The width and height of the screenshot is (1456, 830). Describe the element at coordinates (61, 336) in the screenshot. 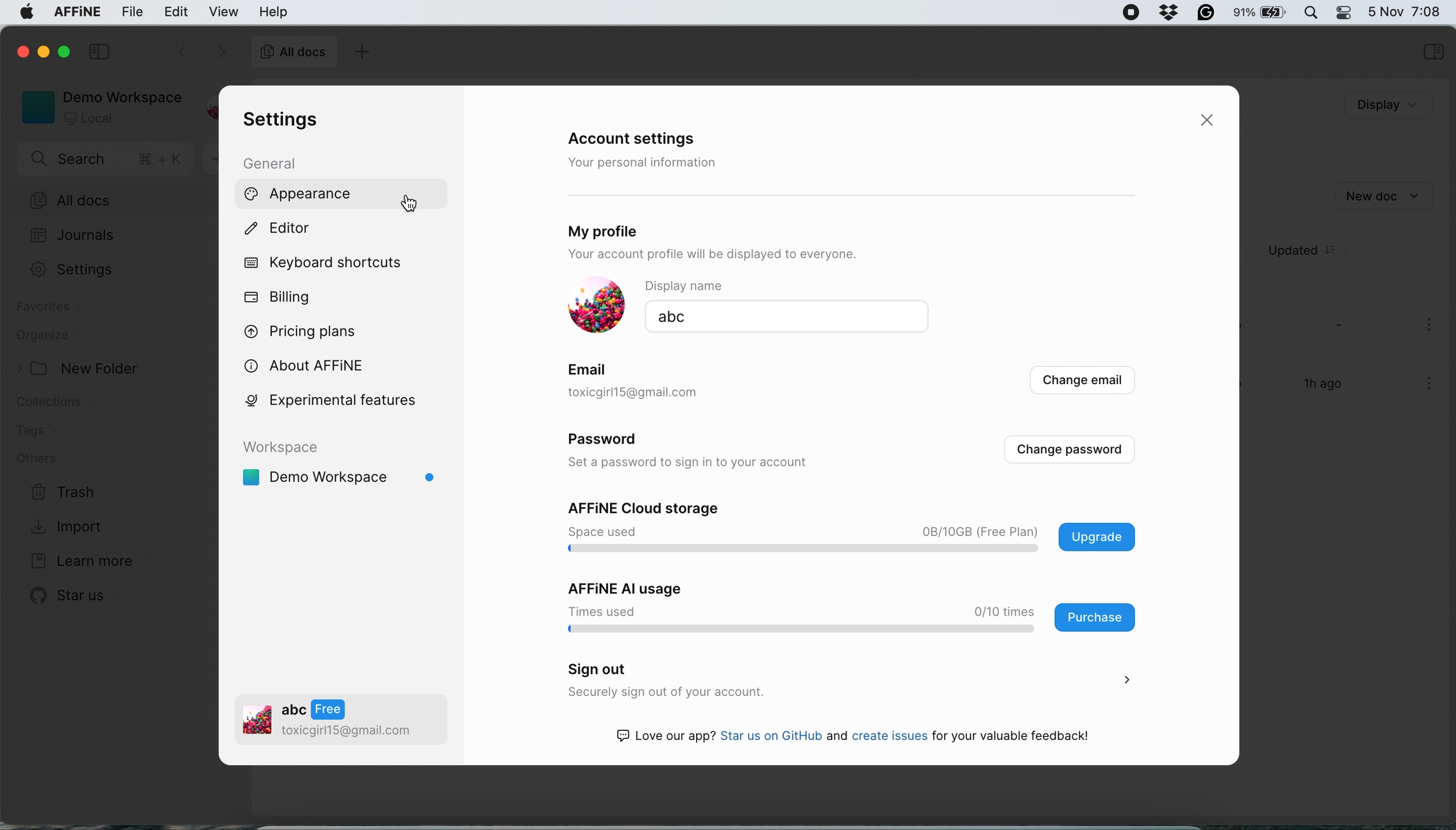

I see `organize` at that location.